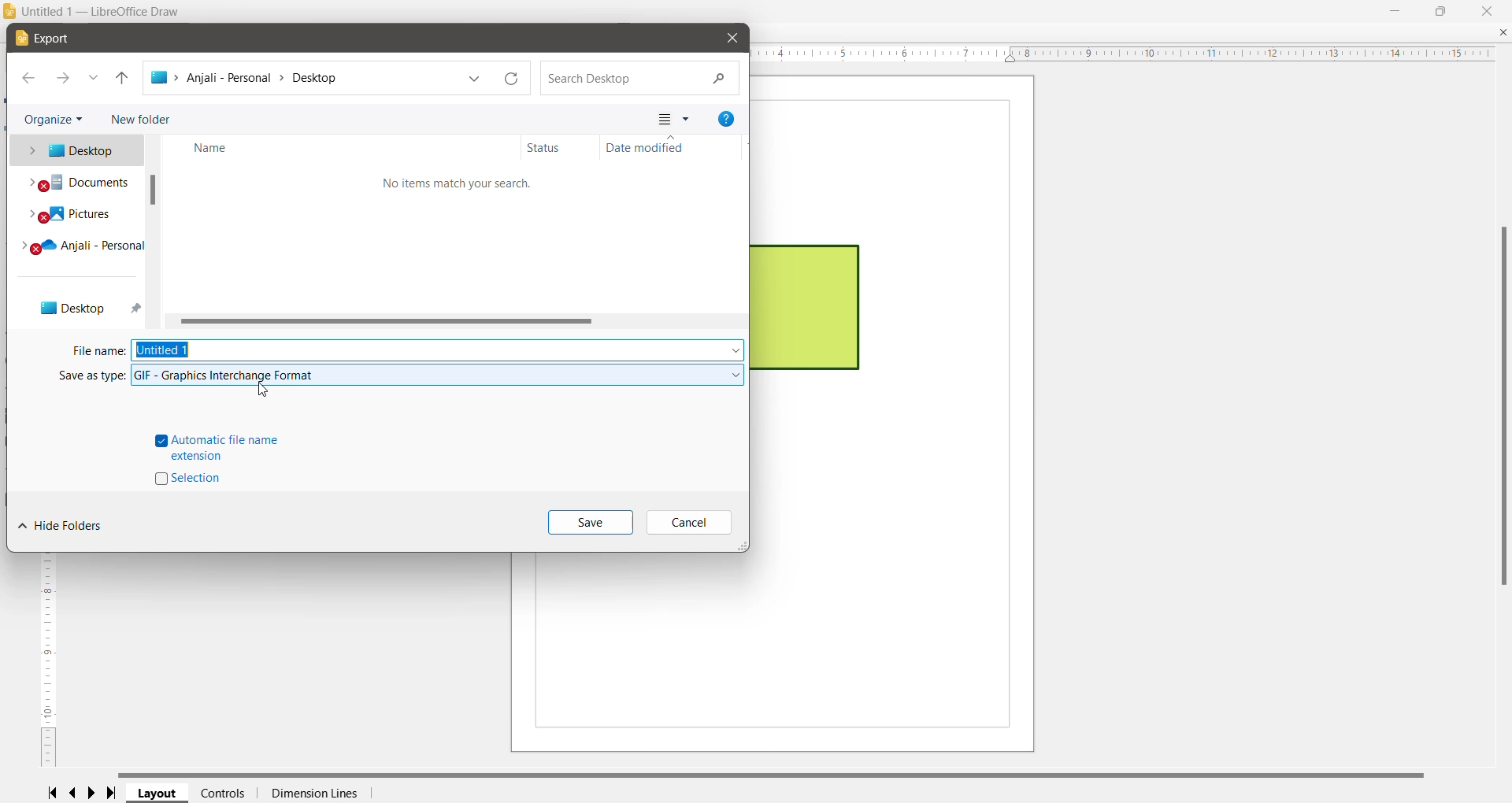 The image size is (1512, 803). I want to click on Forward, so click(63, 80).